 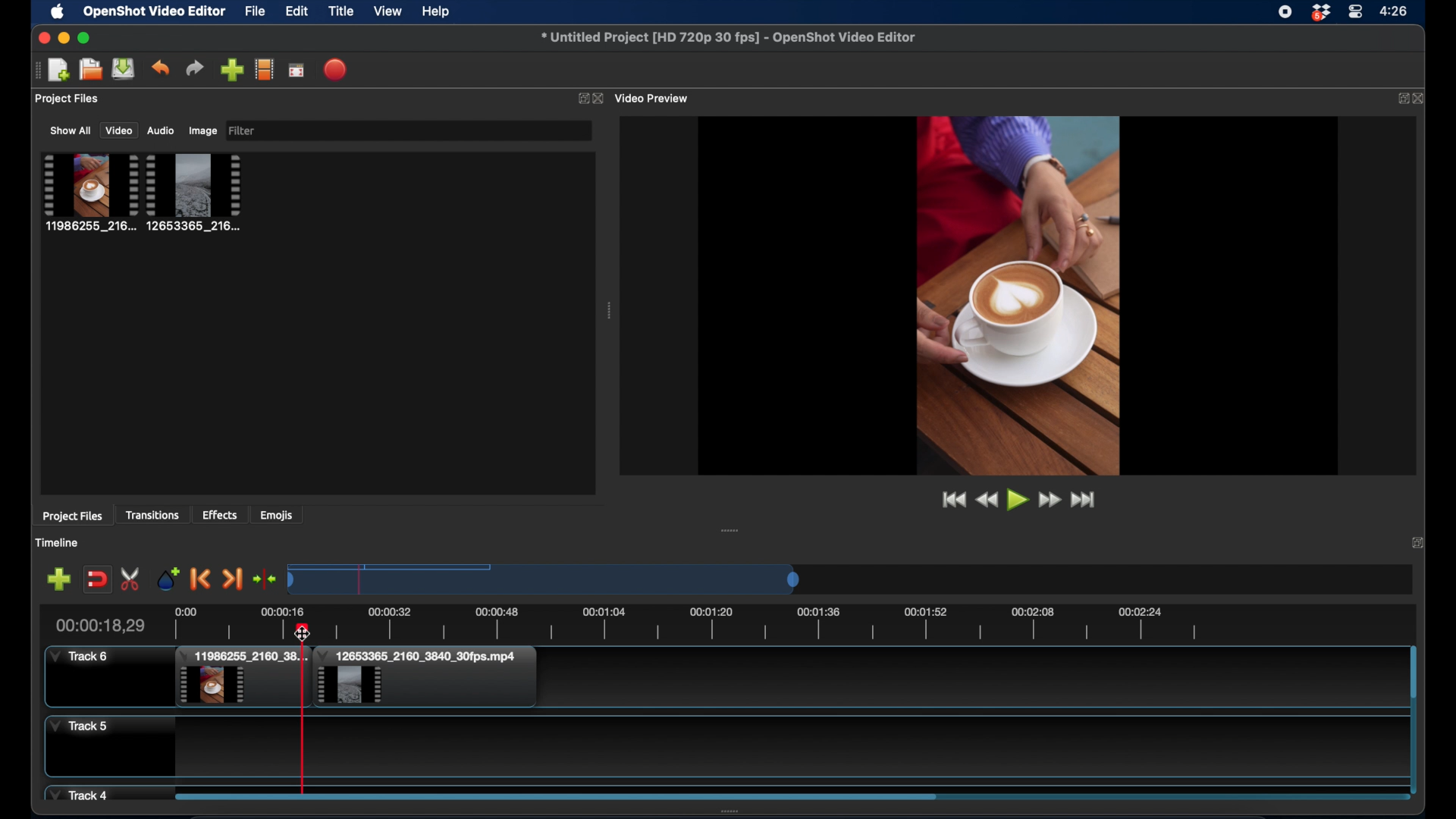 I want to click on save project, so click(x=124, y=69).